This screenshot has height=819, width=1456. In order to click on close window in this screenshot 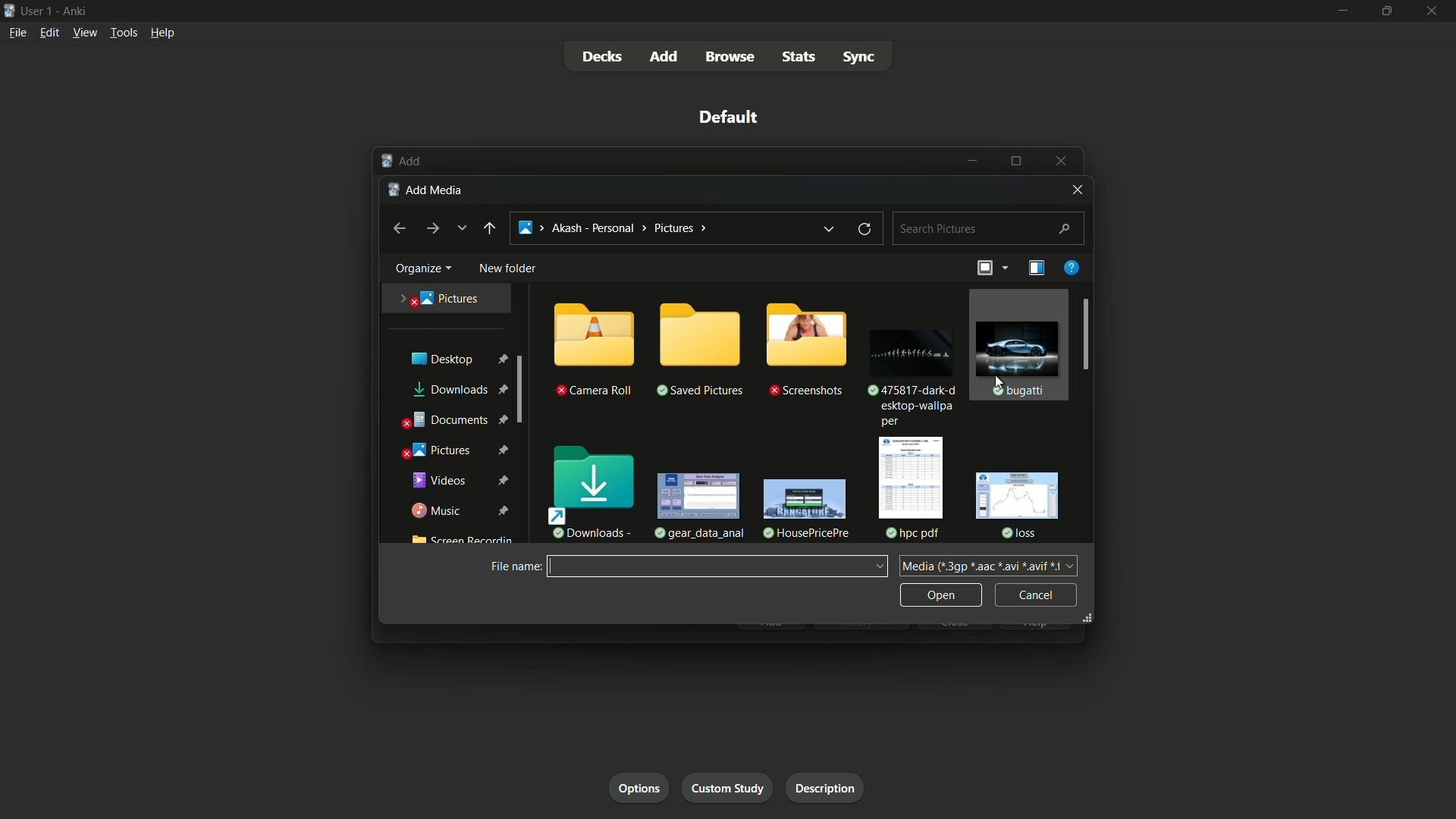, I will do `click(1076, 190)`.